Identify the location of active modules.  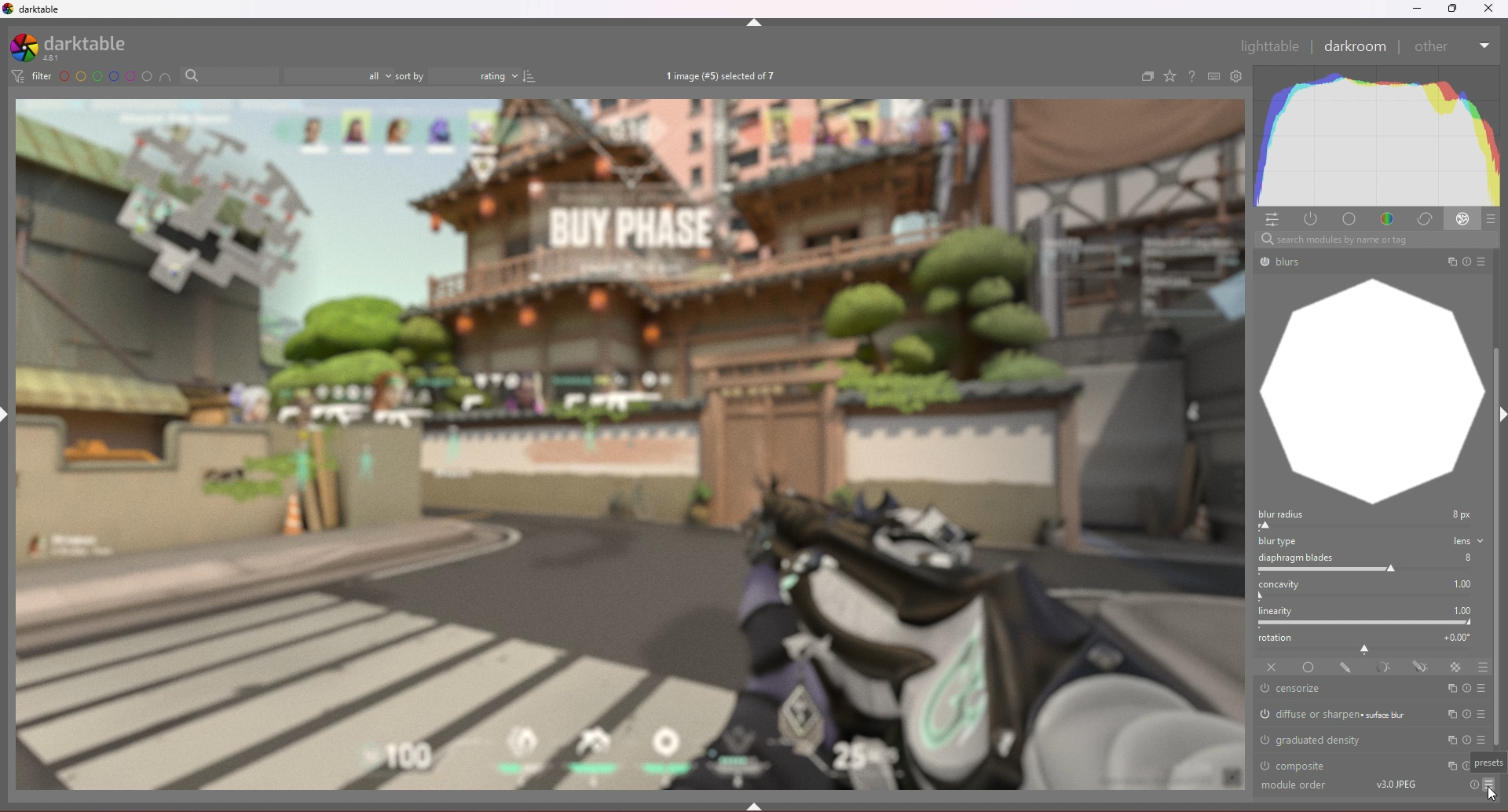
(1311, 219).